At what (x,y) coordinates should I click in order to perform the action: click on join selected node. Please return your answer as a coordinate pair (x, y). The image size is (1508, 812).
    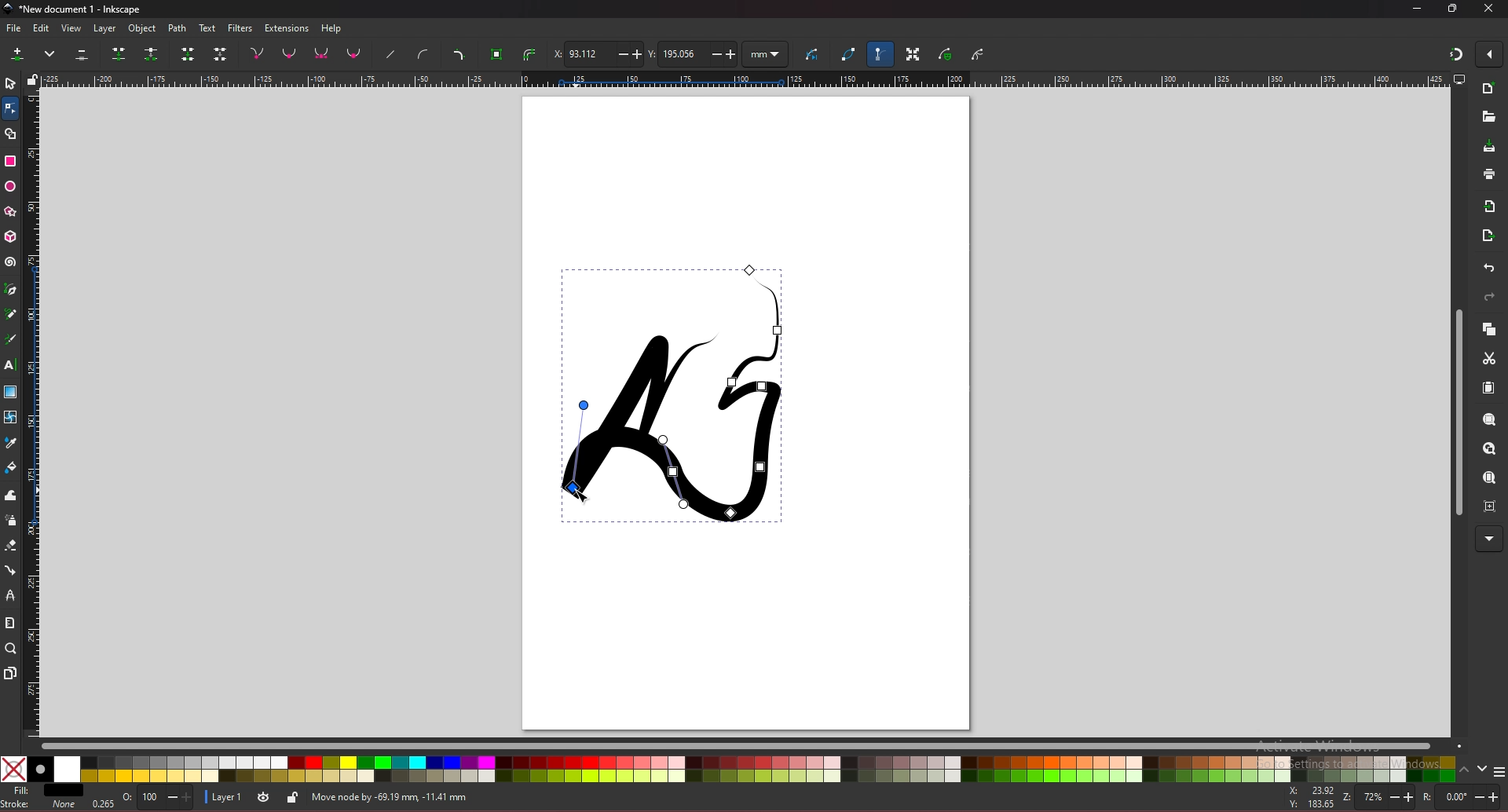
    Looking at the image, I should click on (118, 53).